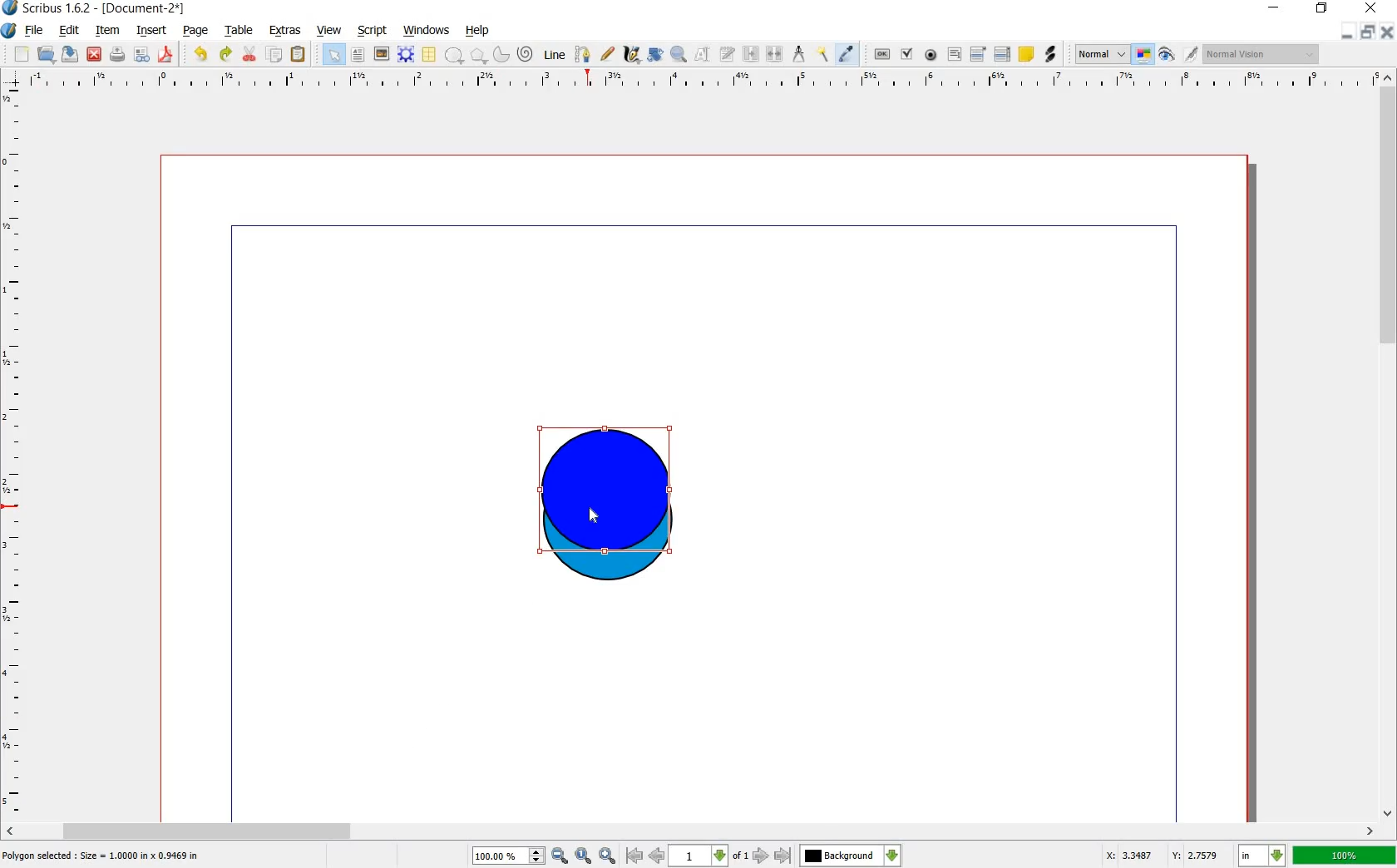 This screenshot has width=1397, height=868. Describe the element at coordinates (1368, 33) in the screenshot. I see `restore` at that location.